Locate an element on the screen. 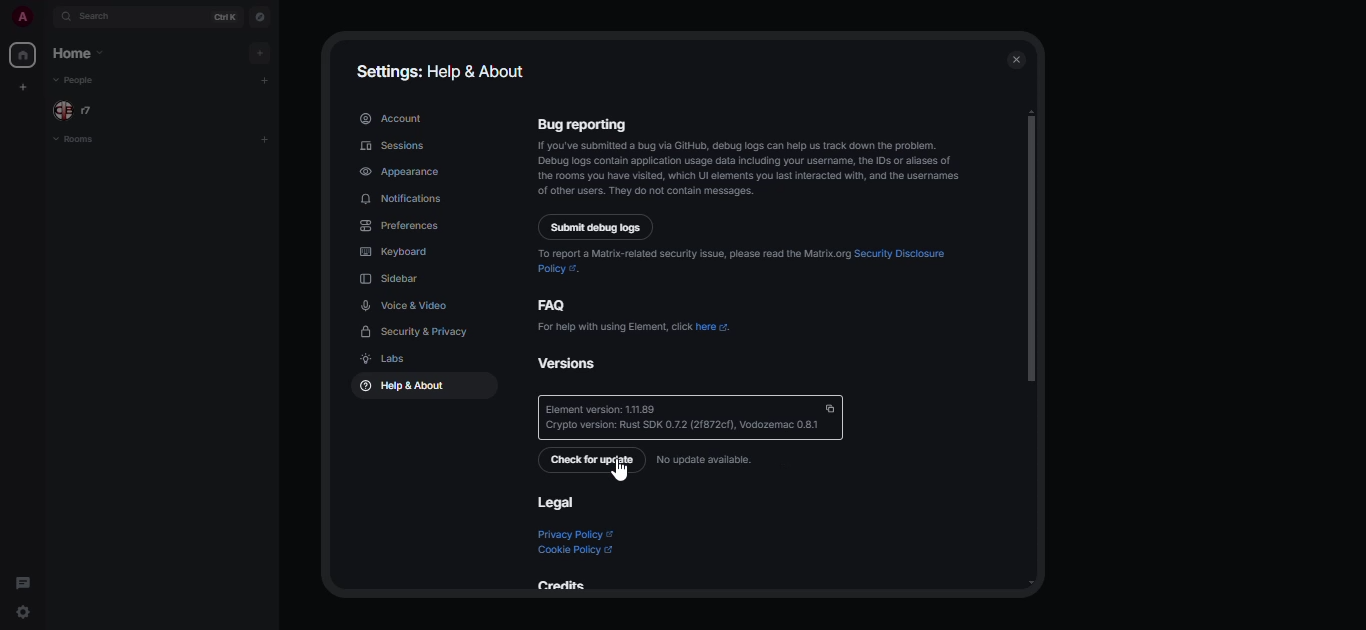  threads is located at coordinates (23, 581).